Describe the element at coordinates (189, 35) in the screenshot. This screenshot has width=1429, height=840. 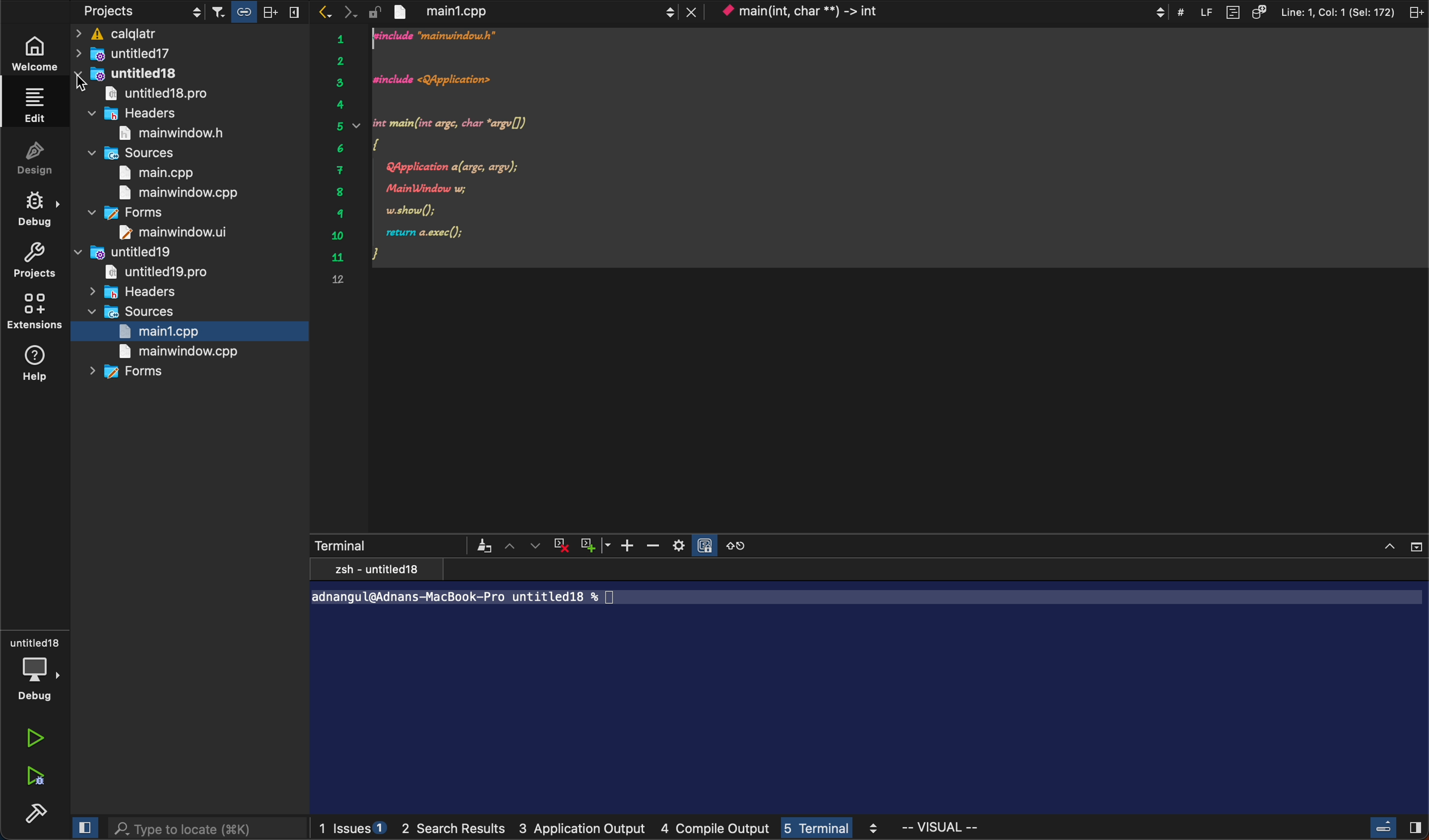
I see `calqlatr` at that location.